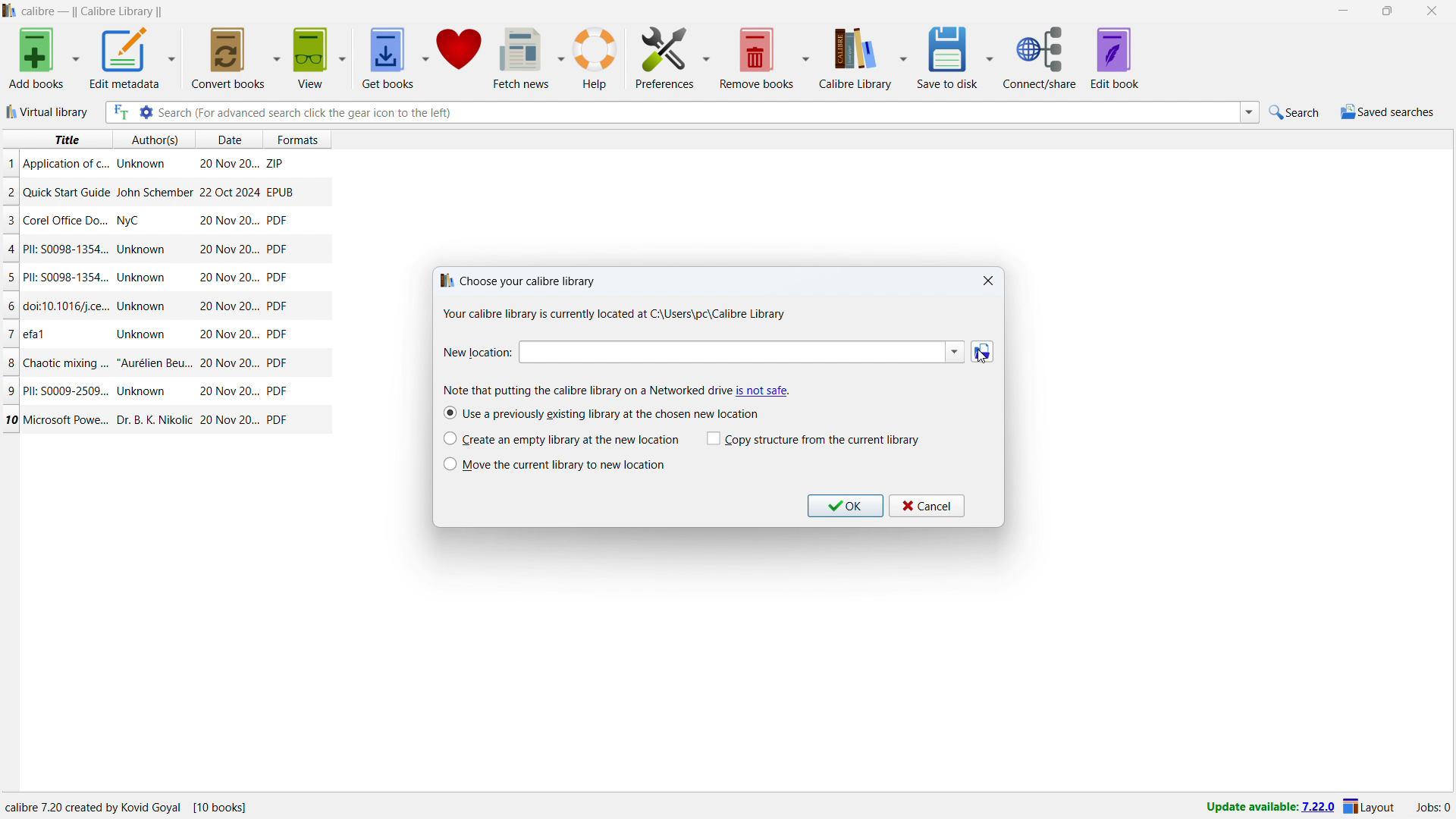  What do you see at coordinates (70, 420) in the screenshot?
I see `Title` at bounding box center [70, 420].